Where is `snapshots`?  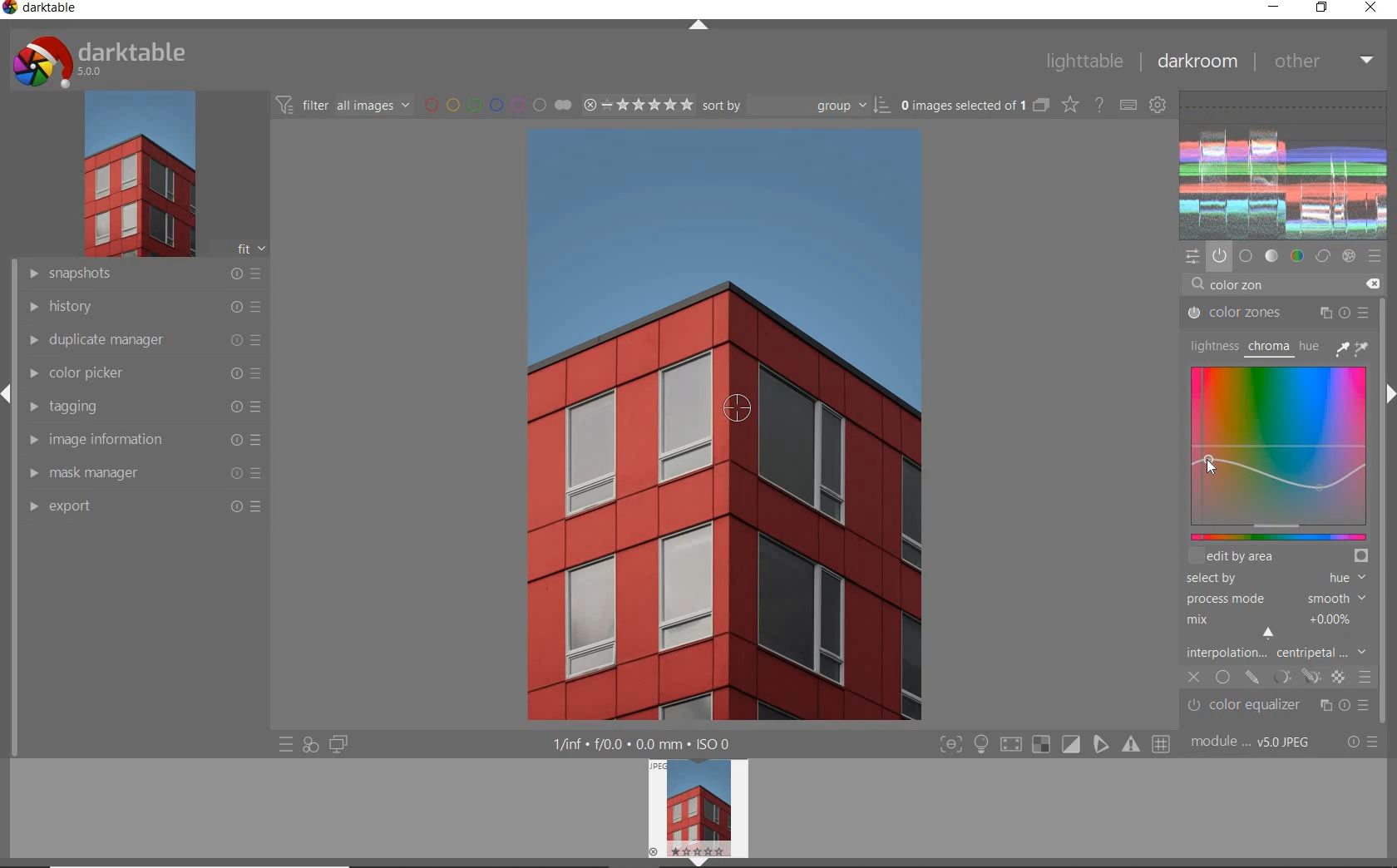
snapshots is located at coordinates (141, 276).